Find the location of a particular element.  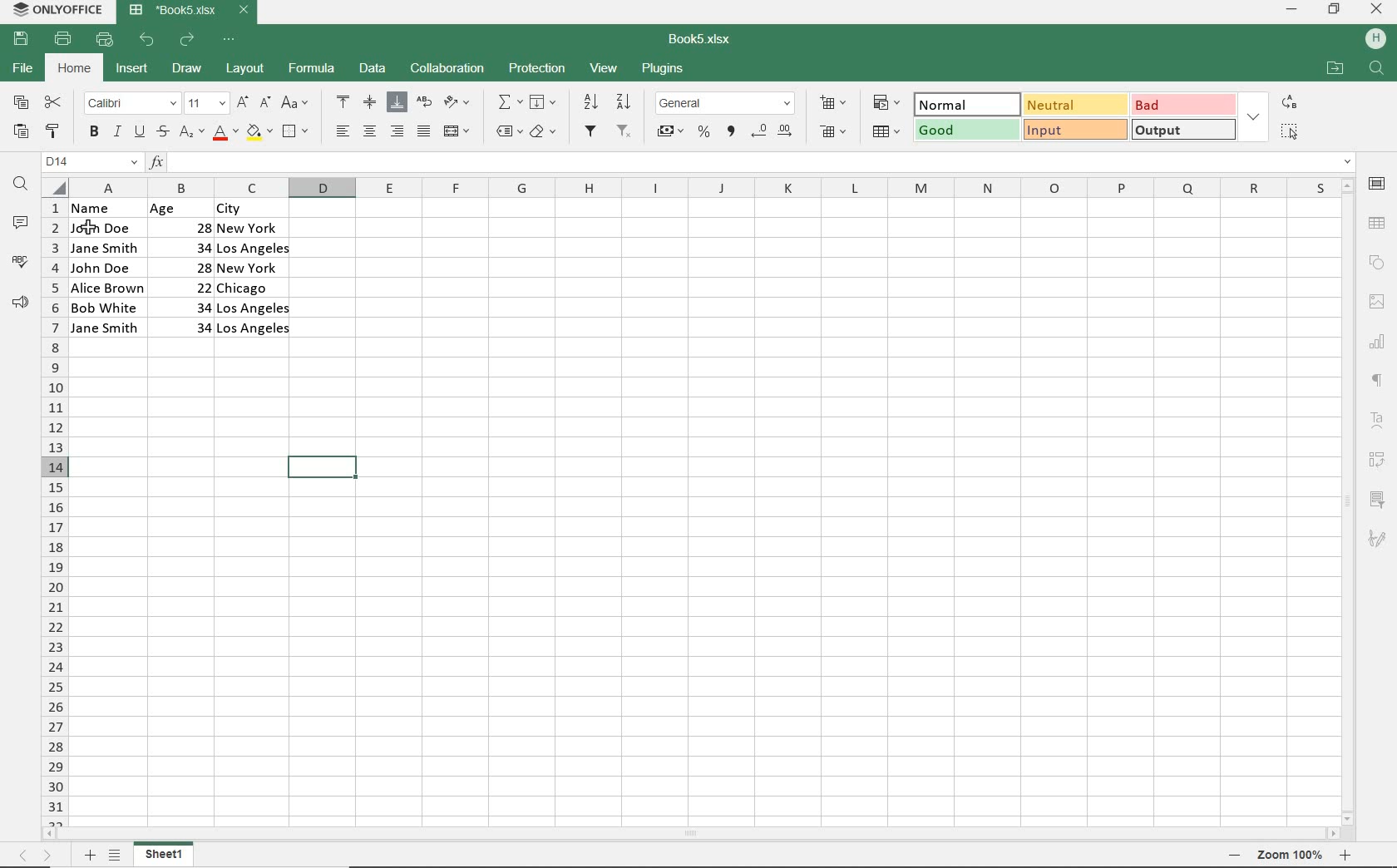

MINIMIZE is located at coordinates (1293, 10).